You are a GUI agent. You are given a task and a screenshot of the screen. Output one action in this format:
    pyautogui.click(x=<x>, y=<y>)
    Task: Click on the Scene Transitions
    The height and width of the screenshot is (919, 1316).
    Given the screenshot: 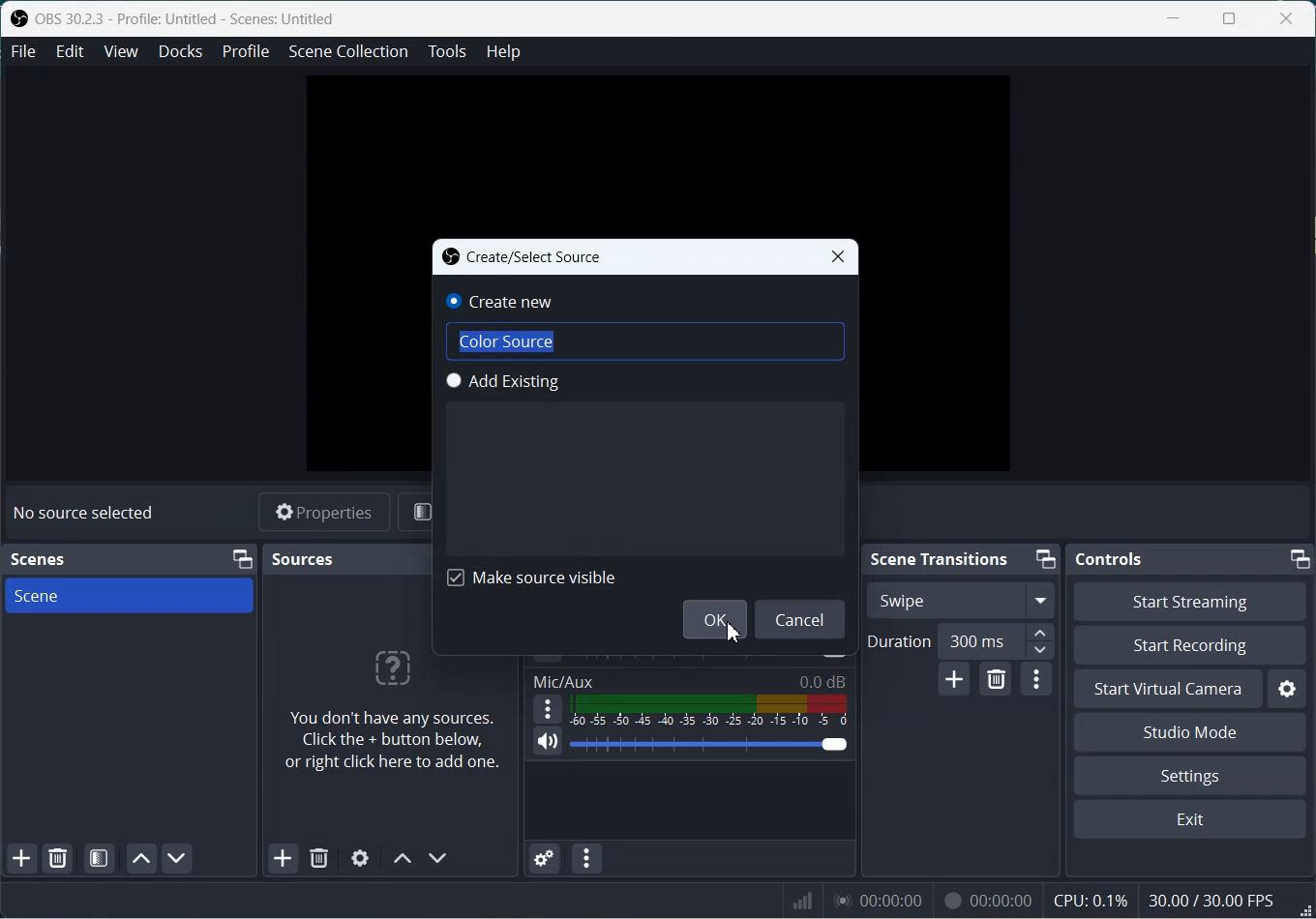 What is the action you would take?
    pyautogui.click(x=942, y=559)
    